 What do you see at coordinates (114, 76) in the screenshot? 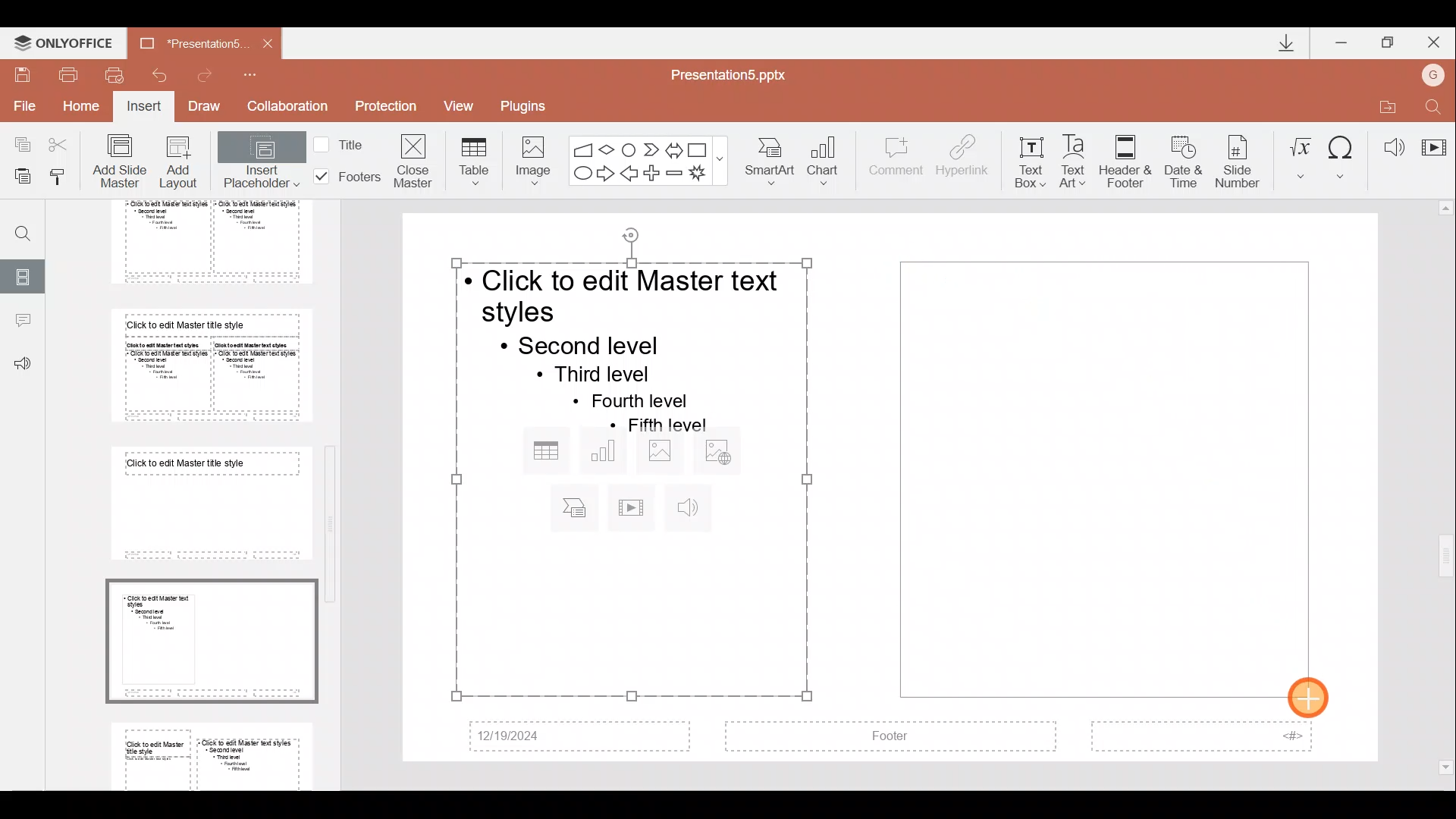
I see `Quick print` at bounding box center [114, 76].